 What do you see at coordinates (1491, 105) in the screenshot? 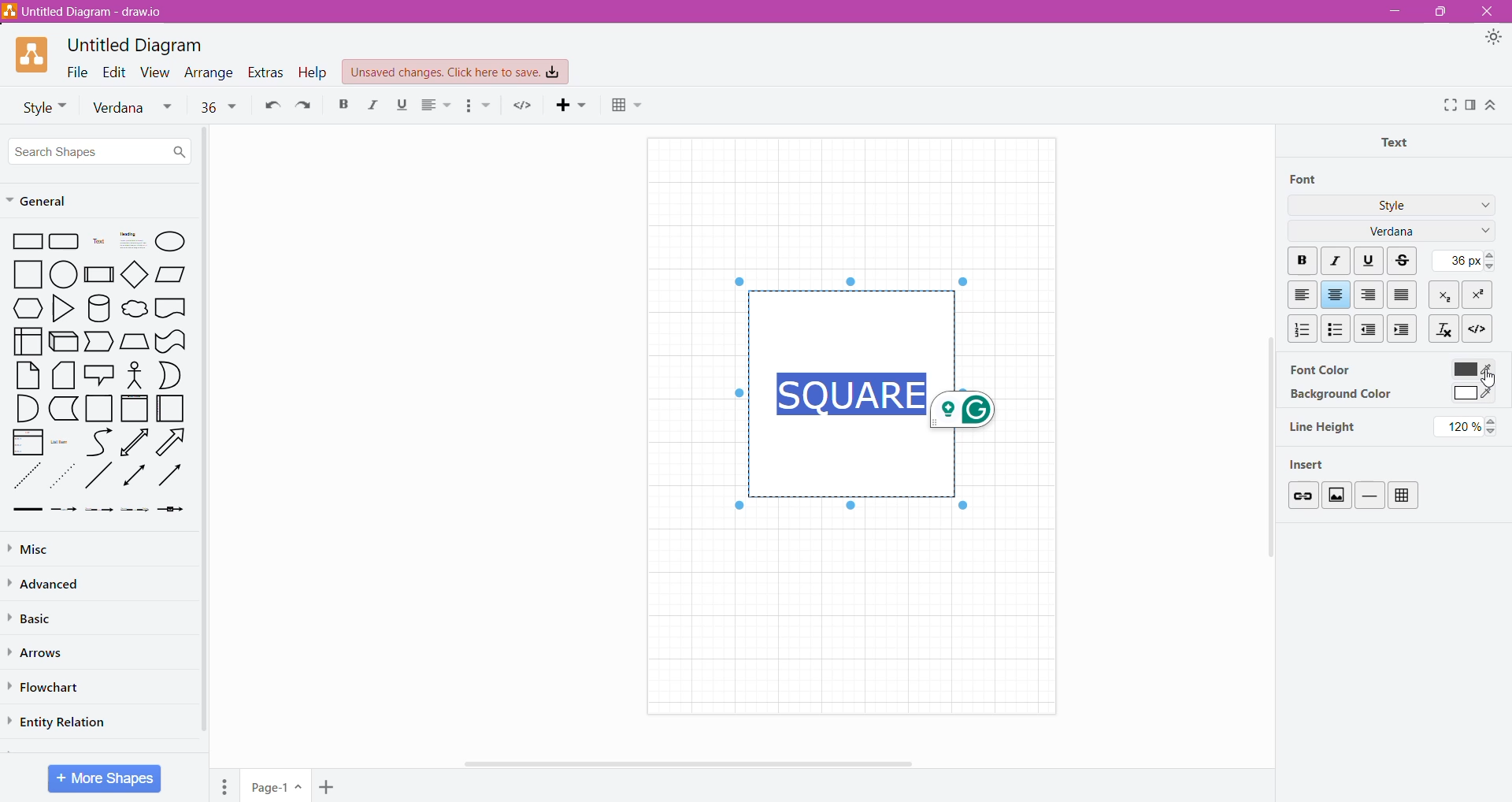
I see `Expand/Collapse` at bounding box center [1491, 105].